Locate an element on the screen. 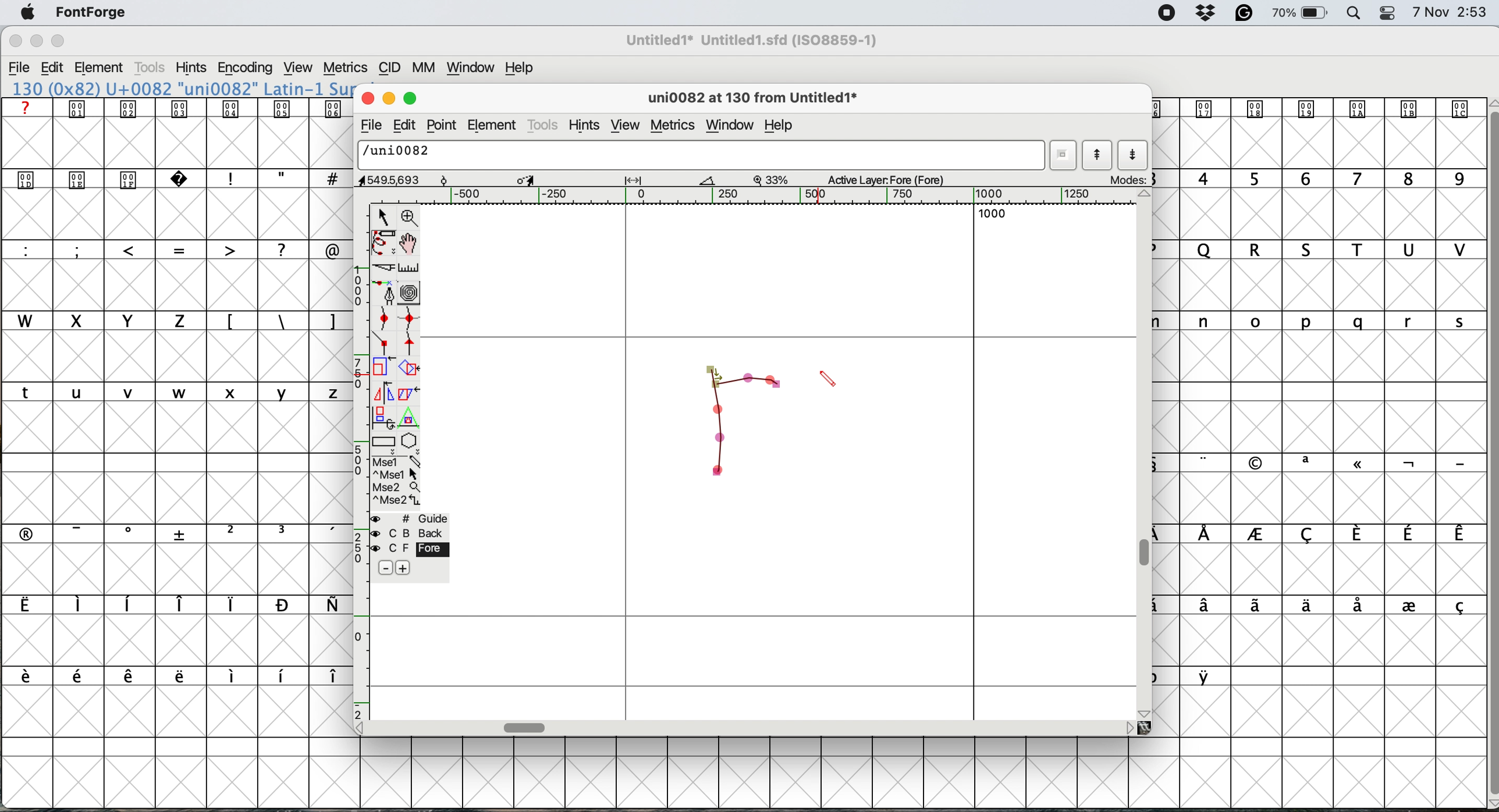 The width and height of the screenshot is (1499, 812). zoom in is located at coordinates (411, 217).